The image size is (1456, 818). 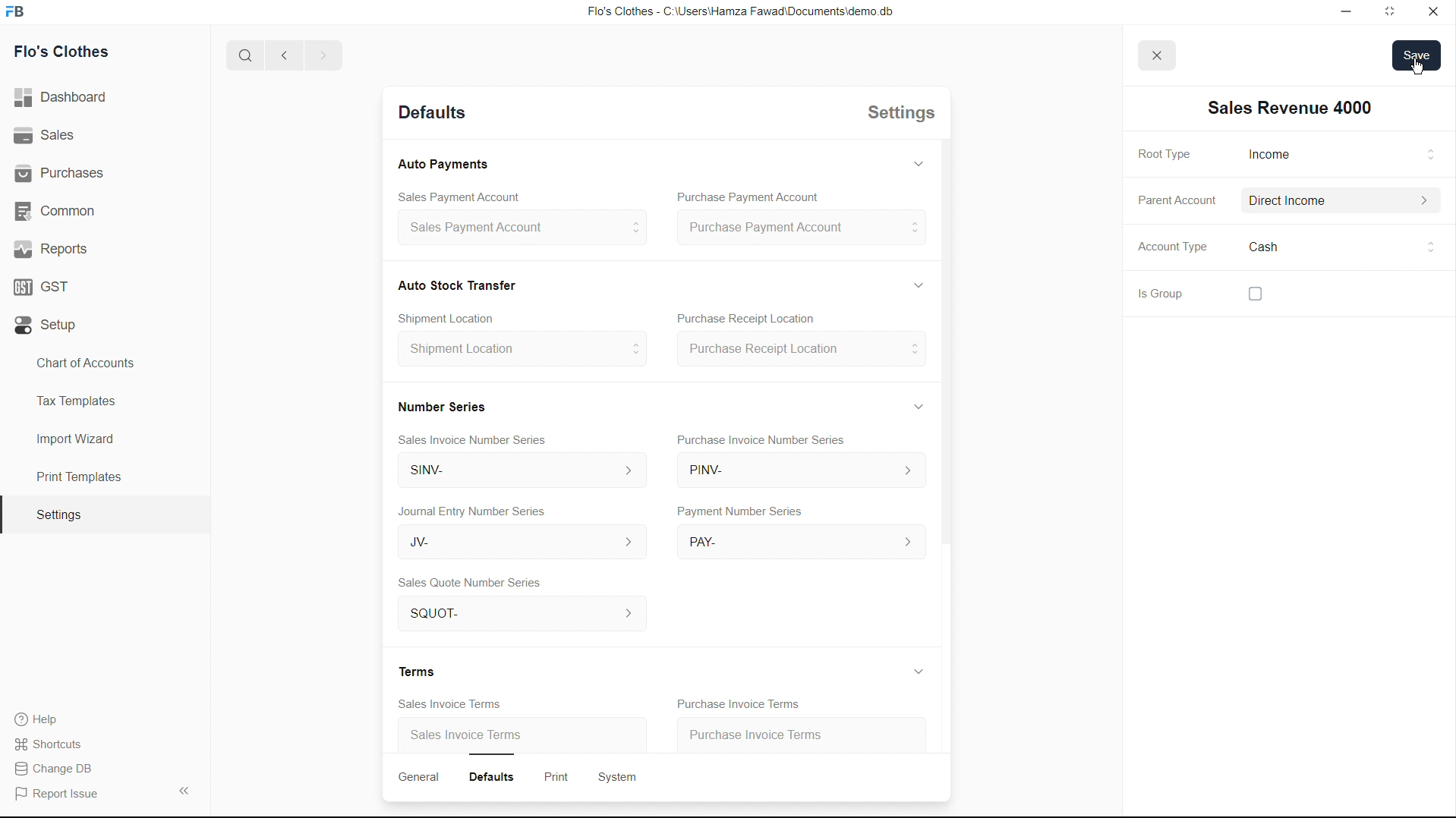 I want to click on cursor, so click(x=1419, y=70).